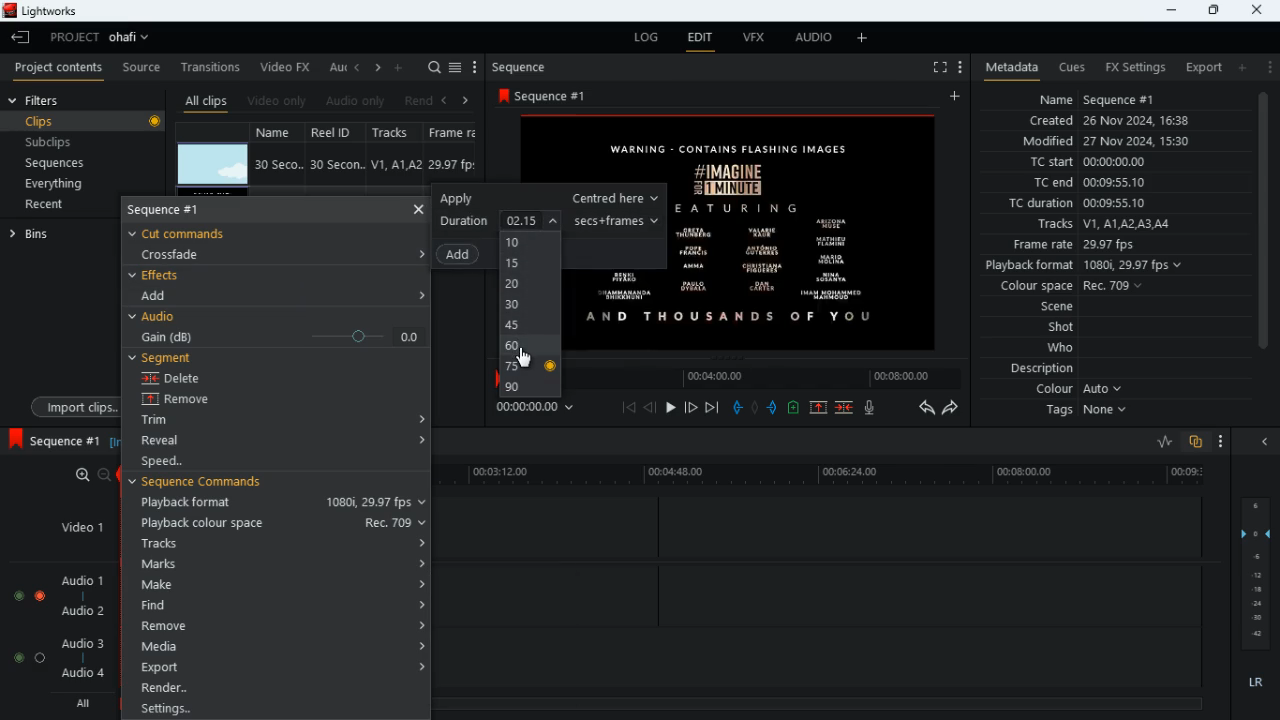  Describe the element at coordinates (173, 422) in the screenshot. I see `trim` at that location.